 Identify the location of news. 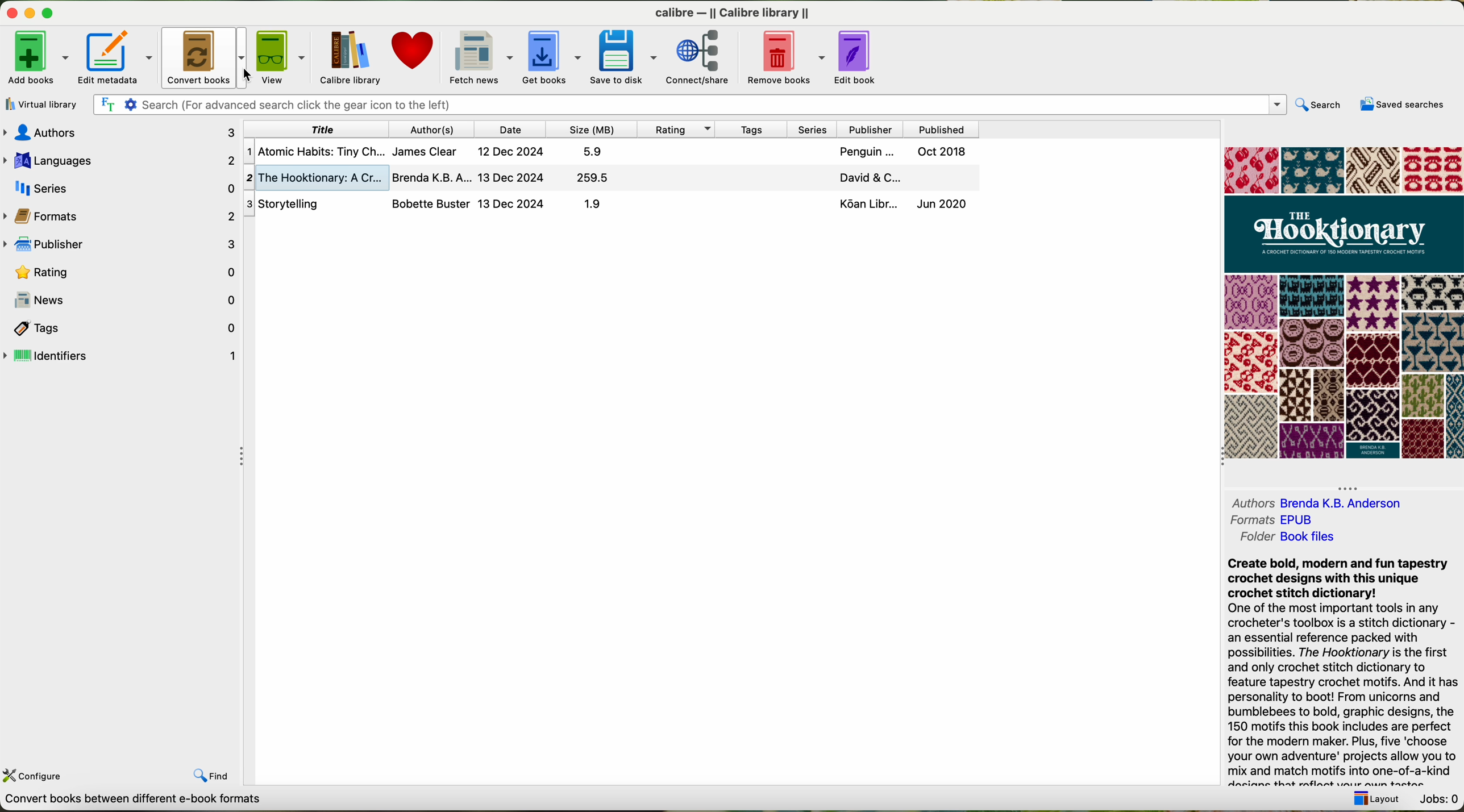
(120, 299).